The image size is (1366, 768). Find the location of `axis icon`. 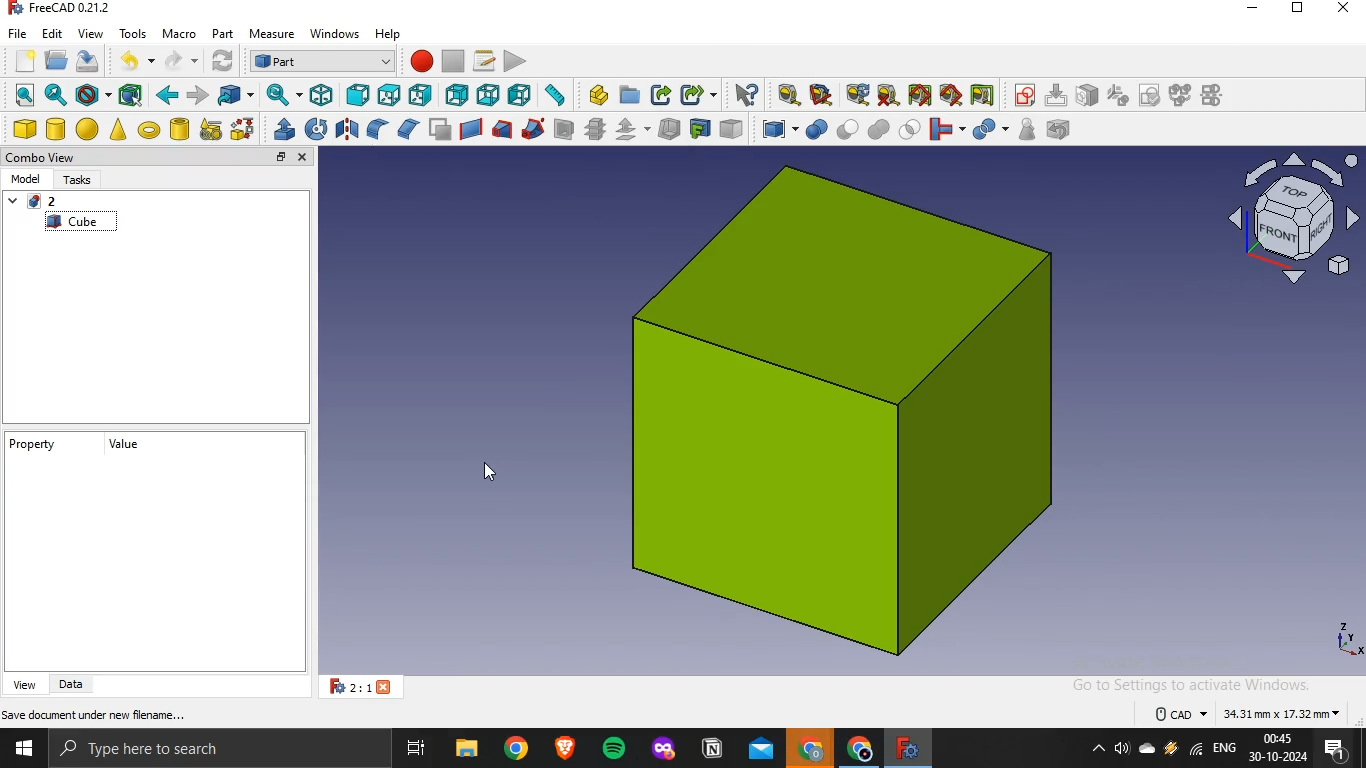

axis icon is located at coordinates (1293, 219).